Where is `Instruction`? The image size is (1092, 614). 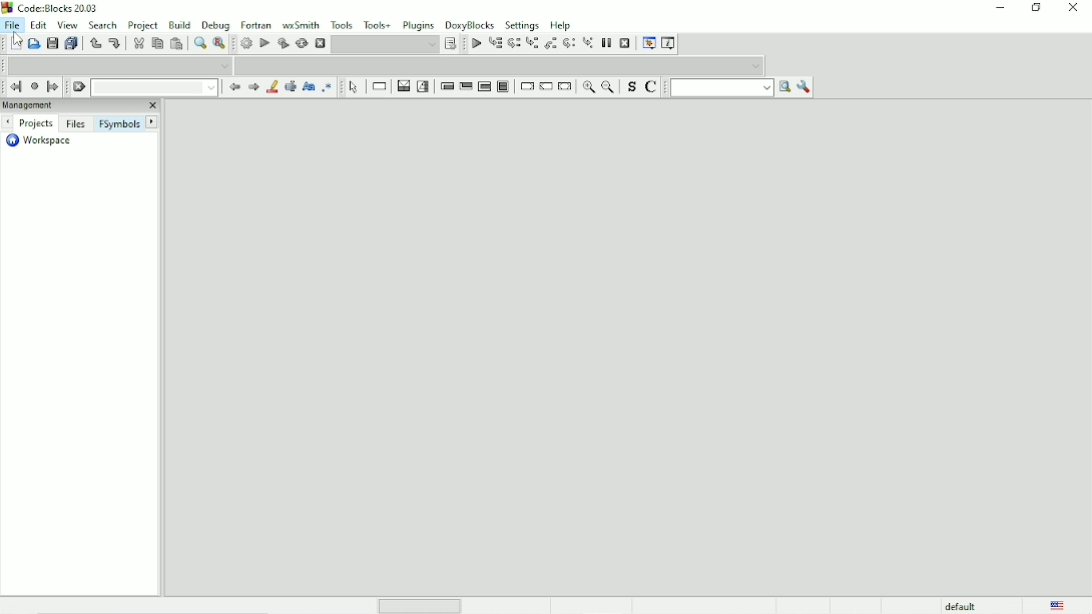 Instruction is located at coordinates (381, 86).